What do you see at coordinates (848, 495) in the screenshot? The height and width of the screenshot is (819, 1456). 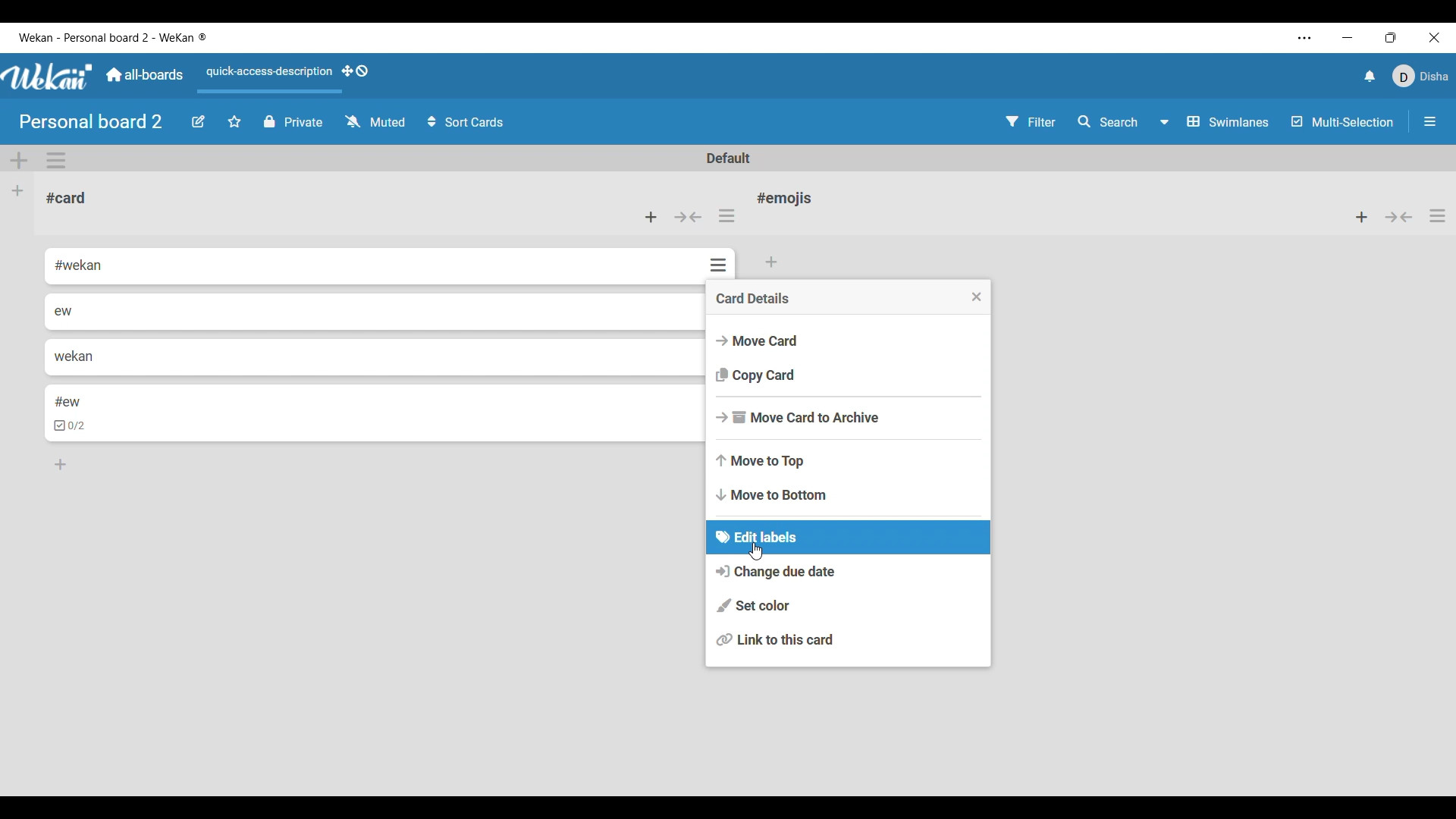 I see `Move to bottom` at bounding box center [848, 495].